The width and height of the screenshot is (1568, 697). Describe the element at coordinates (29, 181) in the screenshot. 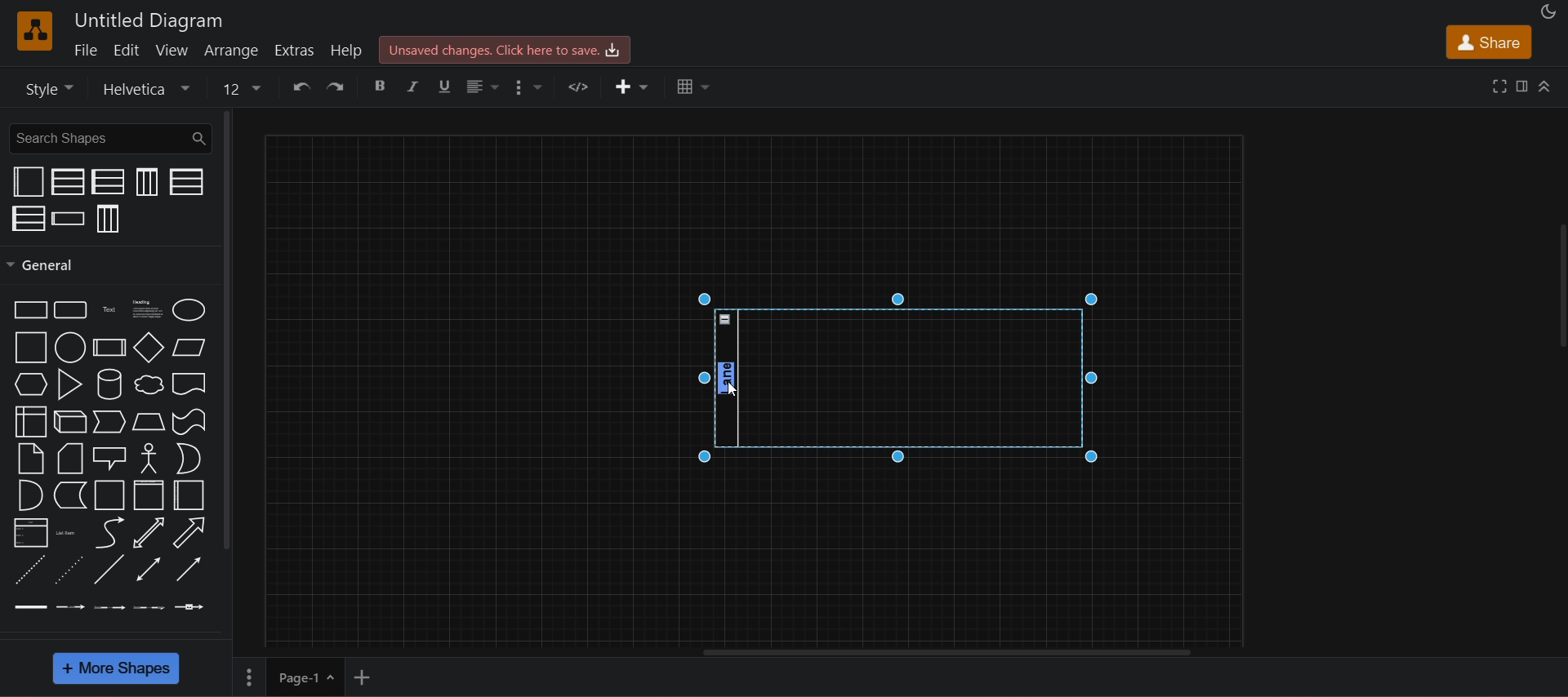

I see `container` at that location.